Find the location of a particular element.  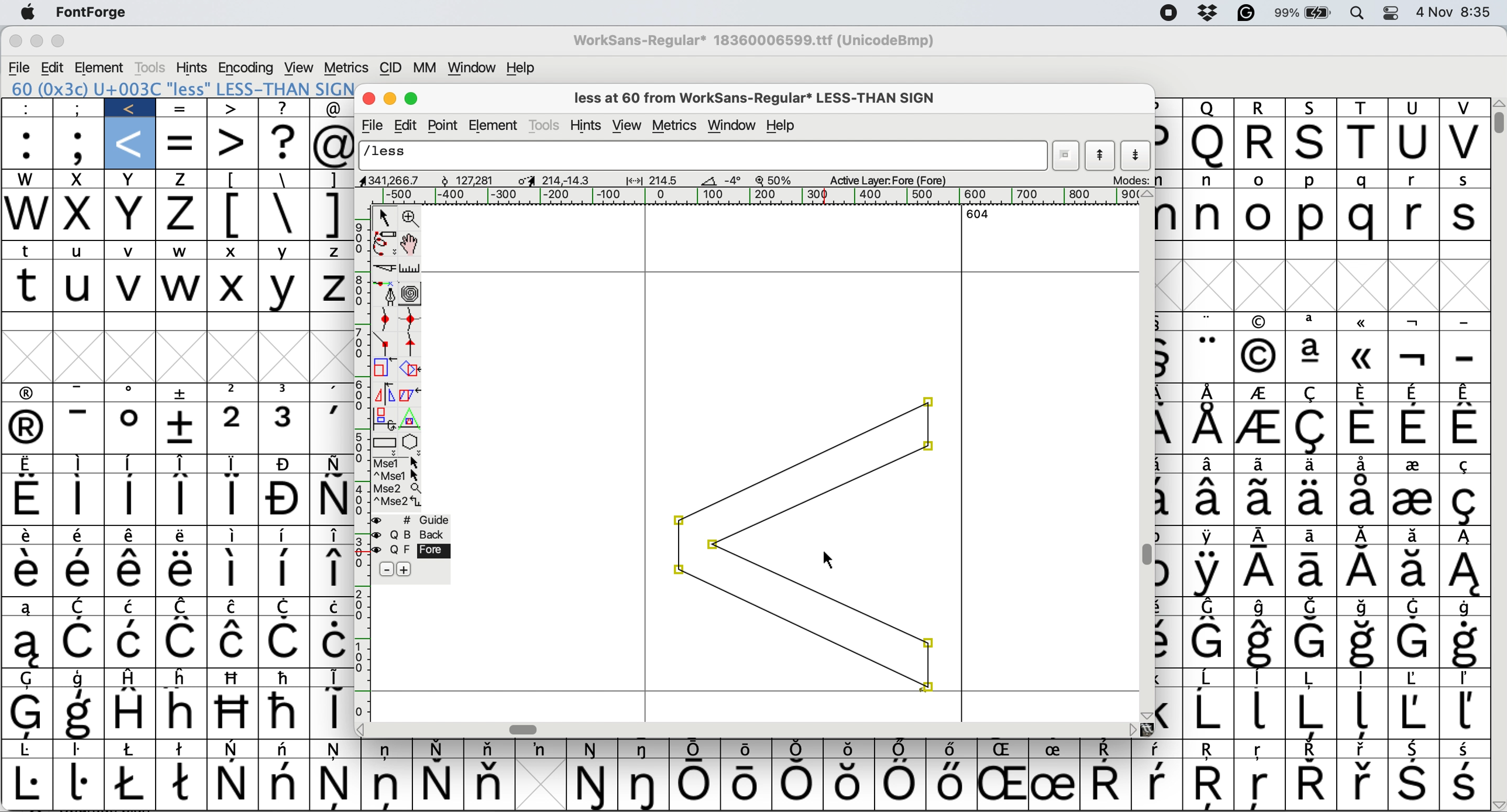

Symbol is located at coordinates (1210, 356).